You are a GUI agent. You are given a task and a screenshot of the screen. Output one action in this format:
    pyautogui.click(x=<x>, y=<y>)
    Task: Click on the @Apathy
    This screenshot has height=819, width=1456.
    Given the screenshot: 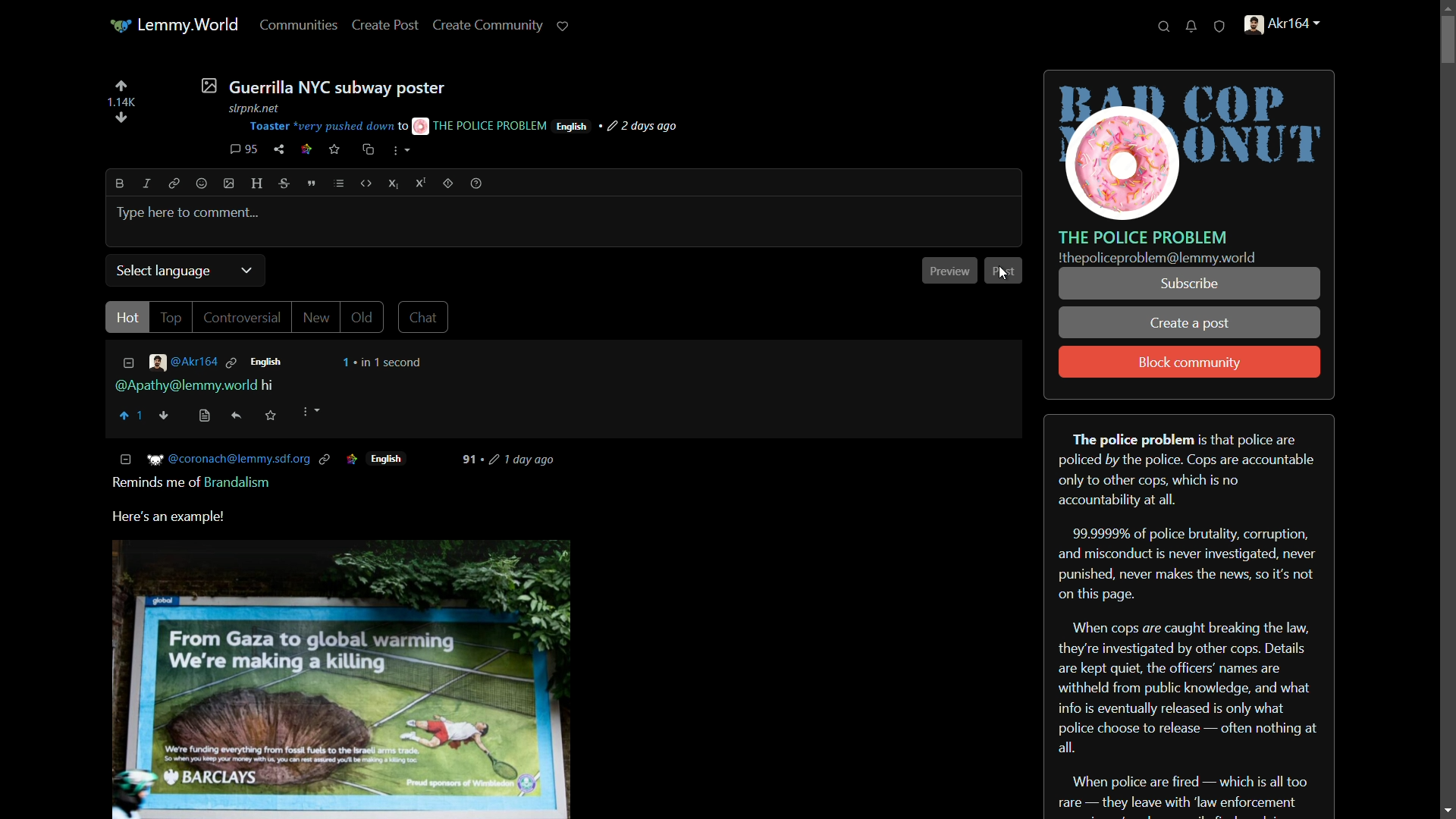 What is the action you would take?
    pyautogui.click(x=180, y=214)
    